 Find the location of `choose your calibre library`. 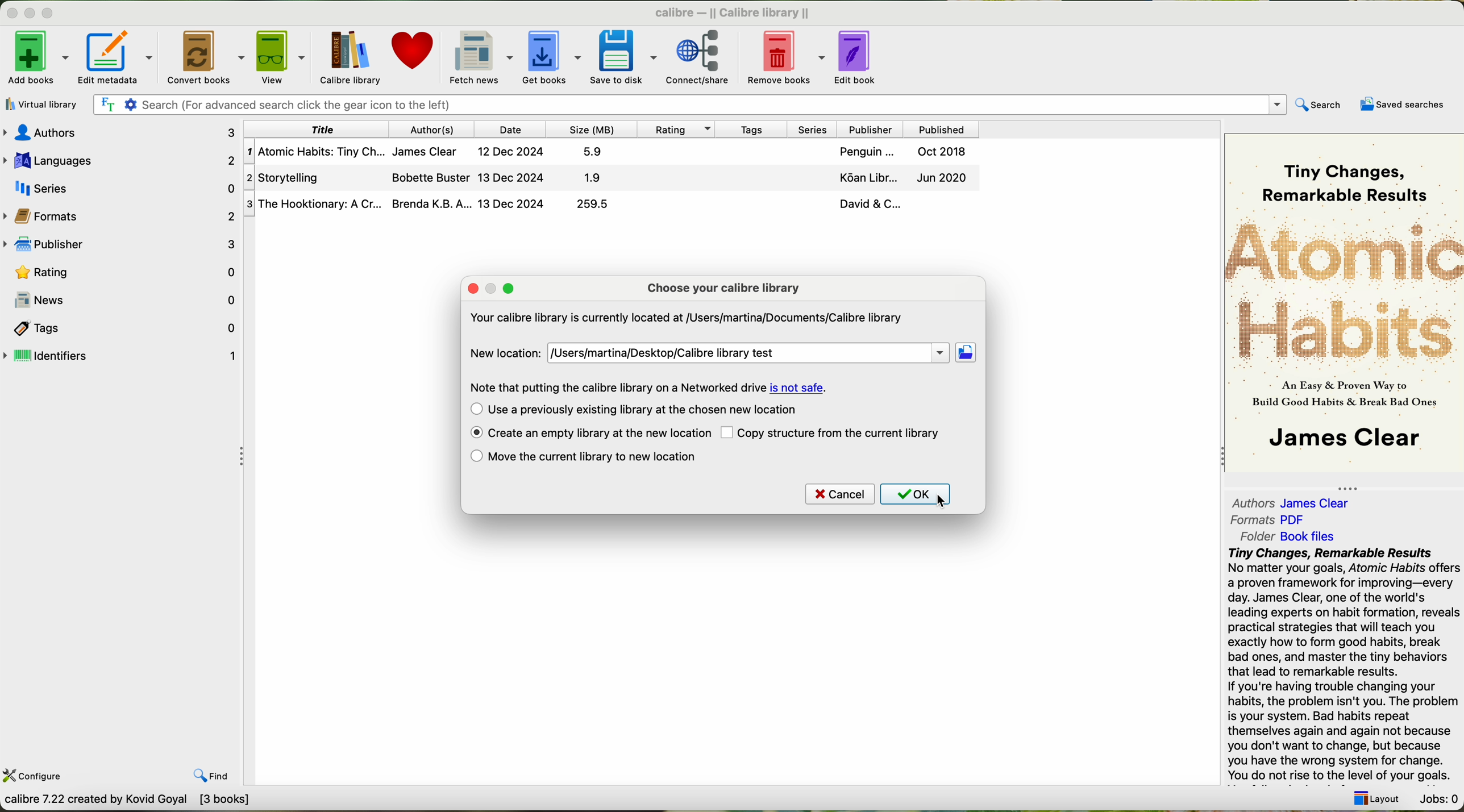

choose your calibre library is located at coordinates (723, 288).